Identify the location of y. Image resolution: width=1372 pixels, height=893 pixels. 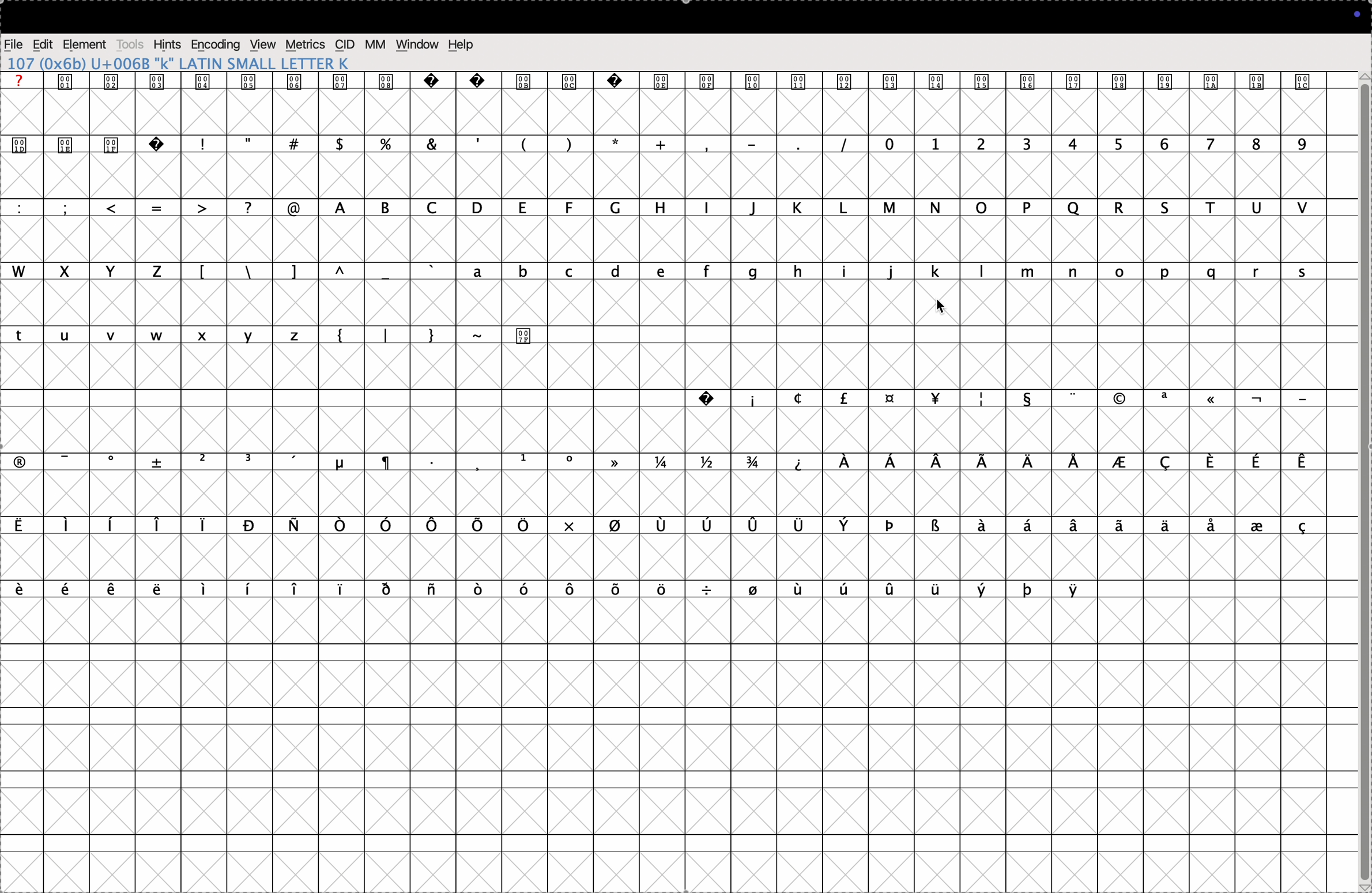
(112, 273).